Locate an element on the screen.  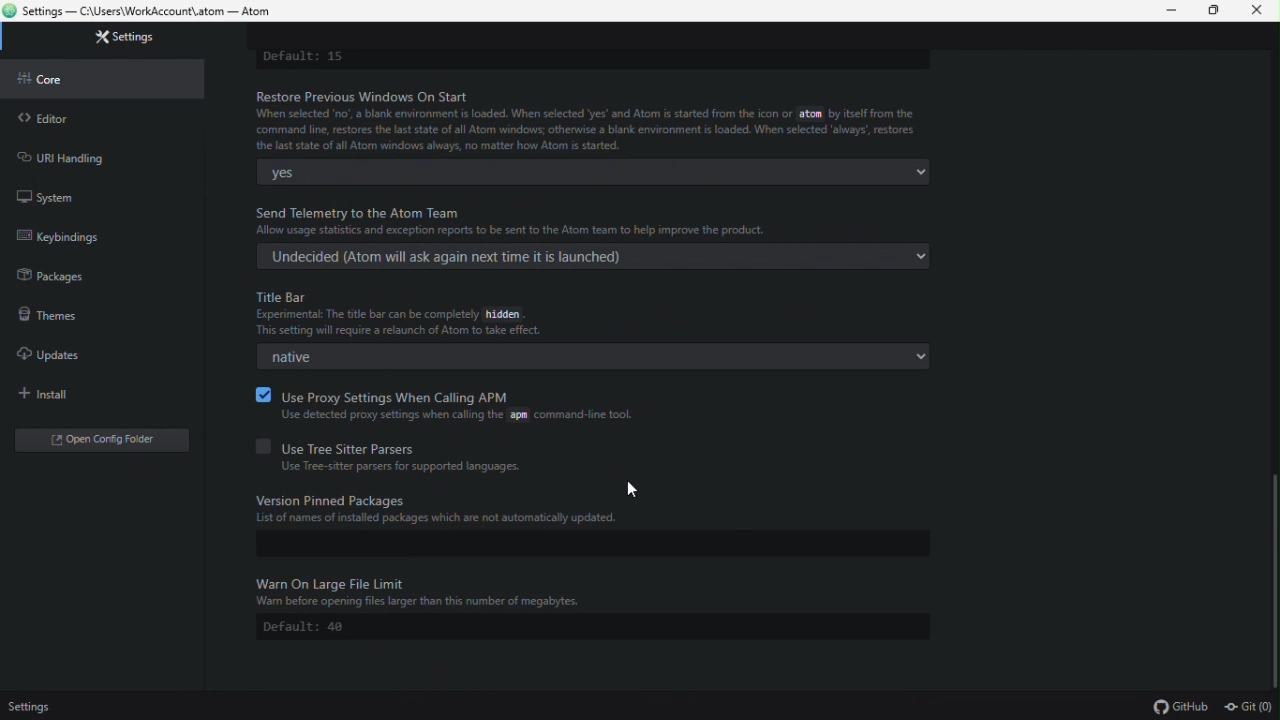
 is located at coordinates (637, 489).